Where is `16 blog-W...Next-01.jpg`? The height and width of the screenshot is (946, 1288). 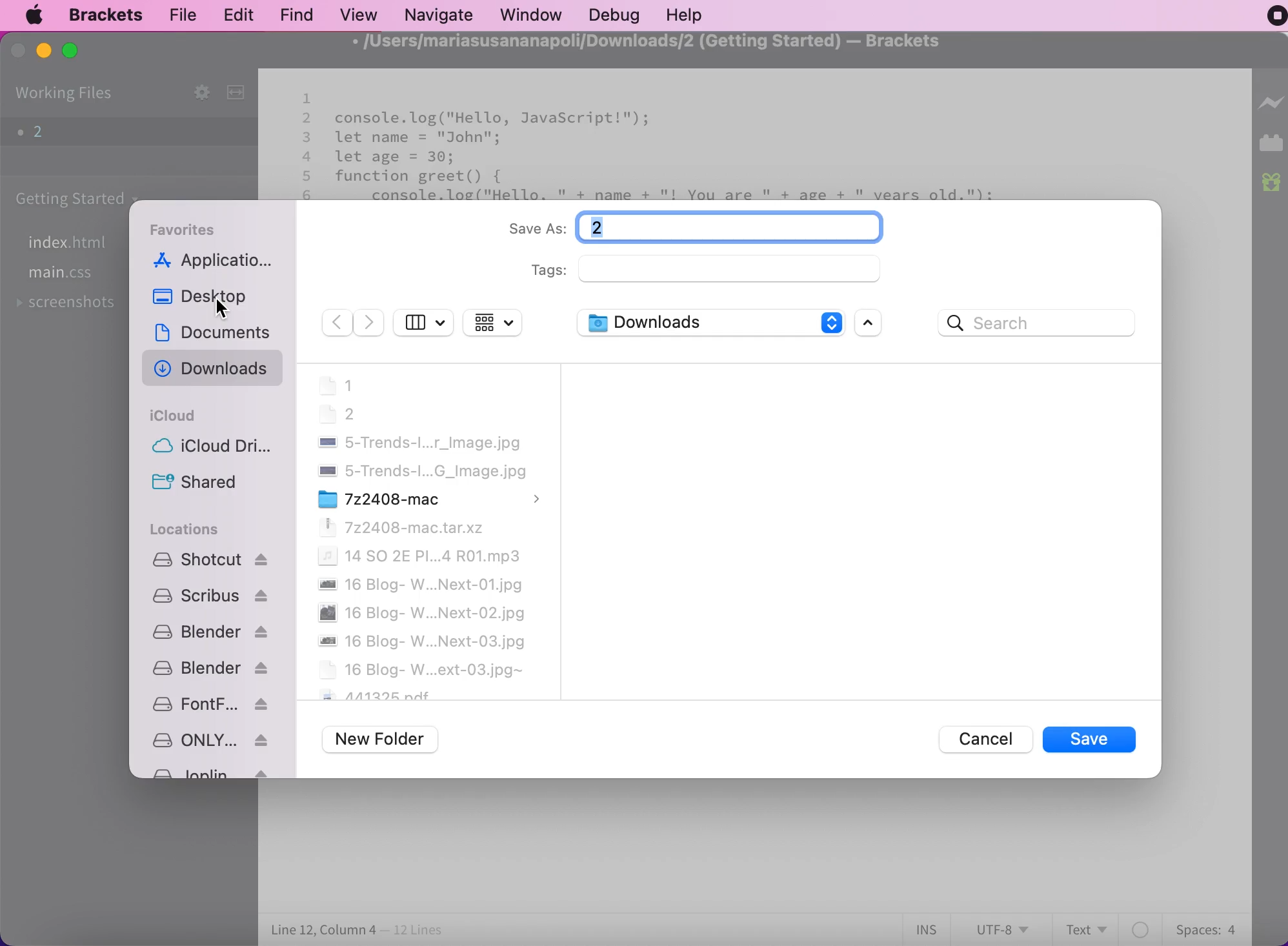
16 blog-W...Next-01.jpg is located at coordinates (419, 585).